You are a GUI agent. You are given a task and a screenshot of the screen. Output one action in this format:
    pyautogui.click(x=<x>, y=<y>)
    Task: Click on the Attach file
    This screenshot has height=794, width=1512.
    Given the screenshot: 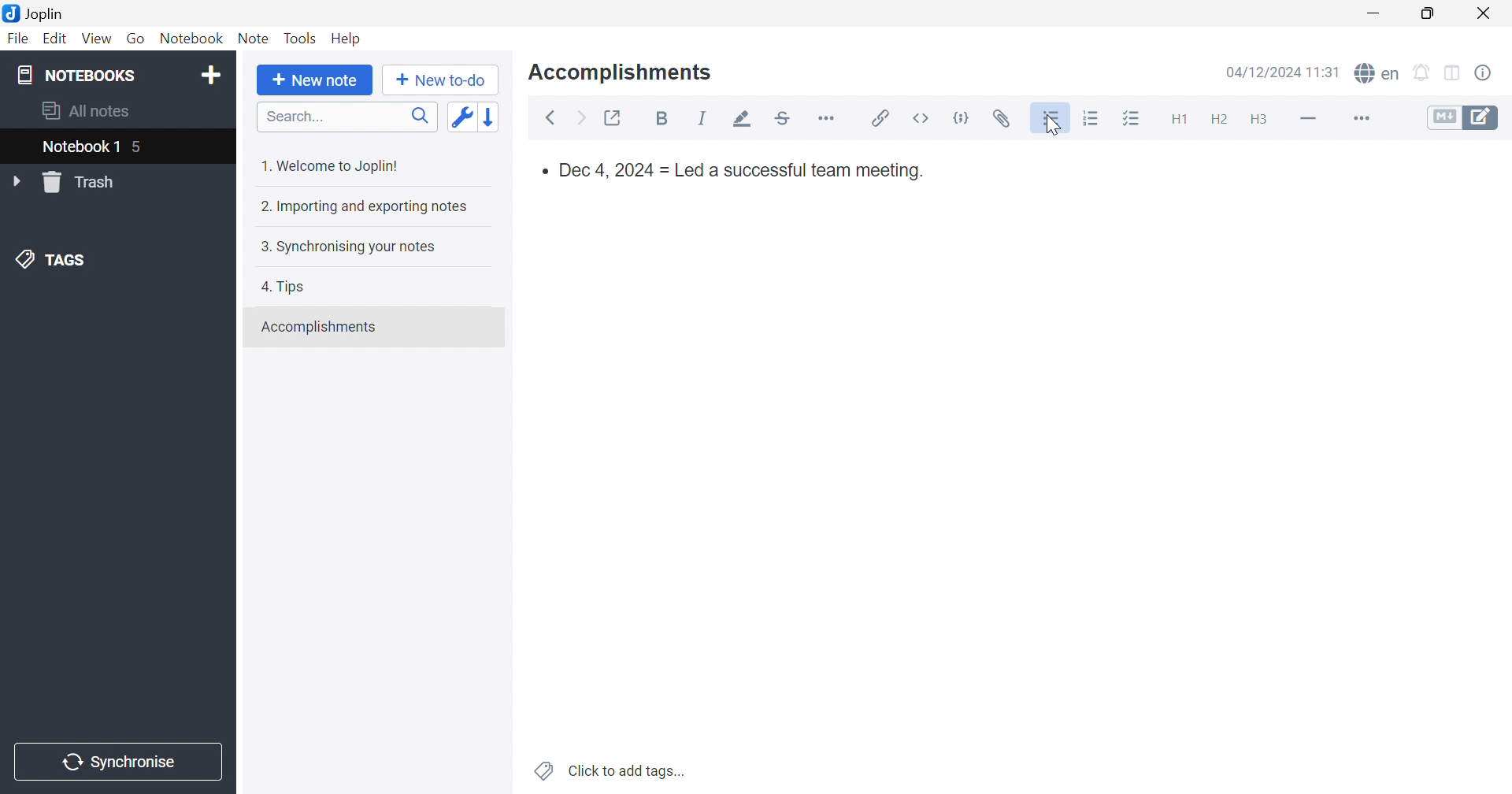 What is the action you would take?
    pyautogui.click(x=1004, y=118)
    